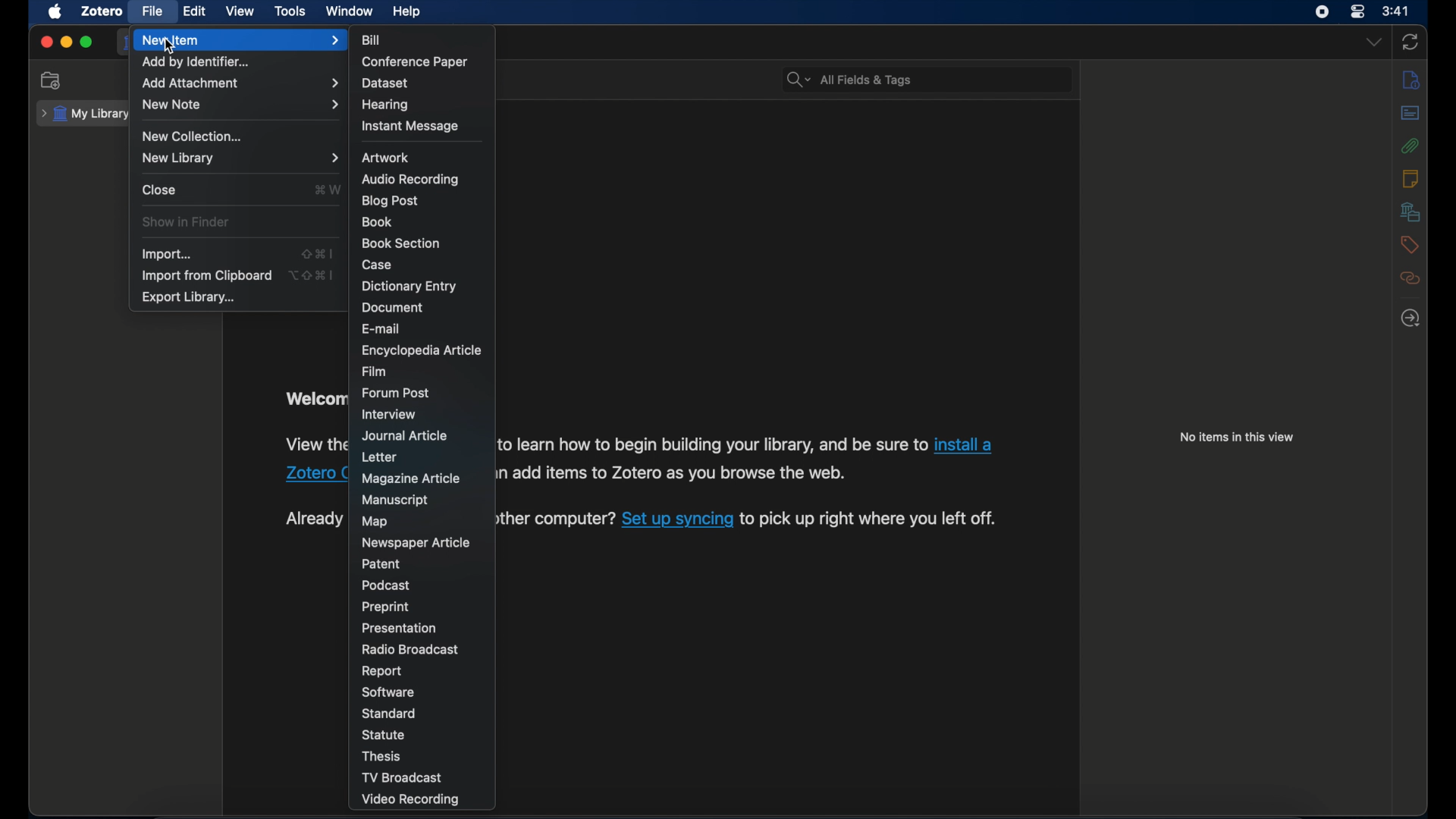 Image resolution: width=1456 pixels, height=819 pixels. Describe the element at coordinates (411, 180) in the screenshot. I see `audio recording` at that location.